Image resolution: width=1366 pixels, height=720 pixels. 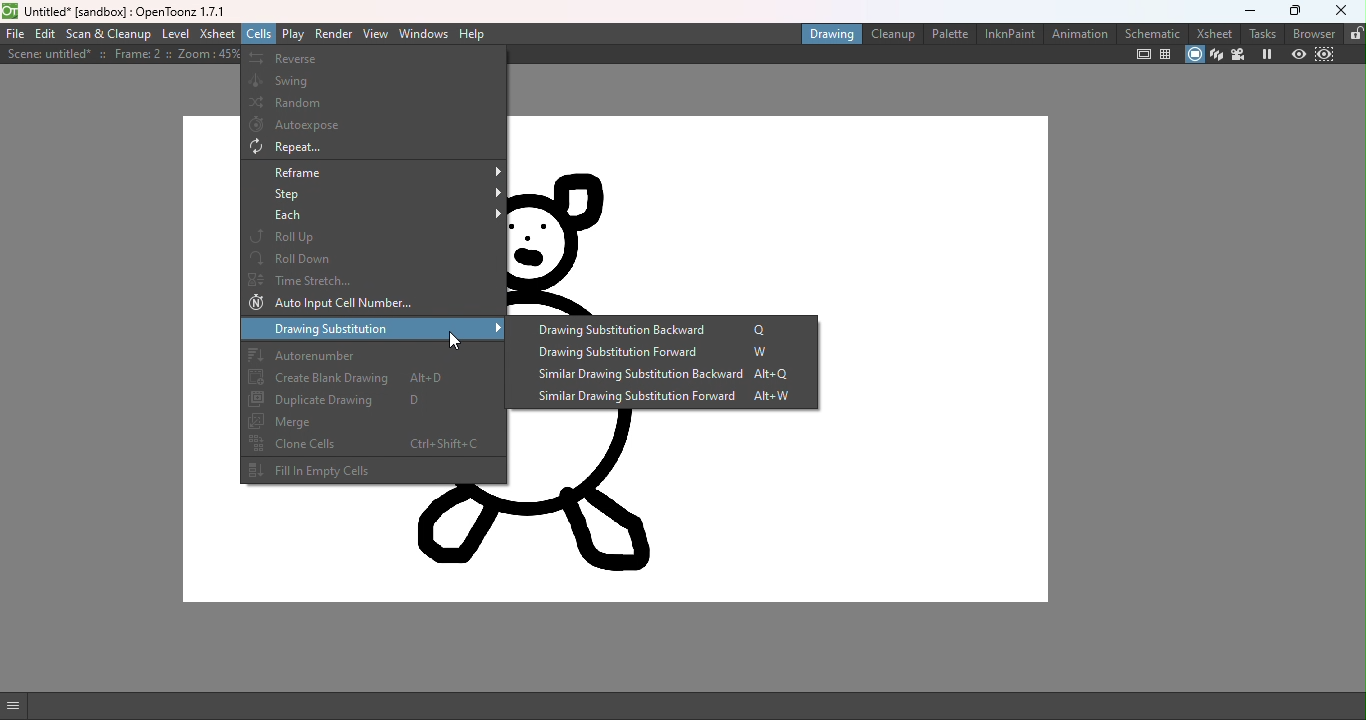 What do you see at coordinates (376, 79) in the screenshot?
I see `Swing` at bounding box center [376, 79].